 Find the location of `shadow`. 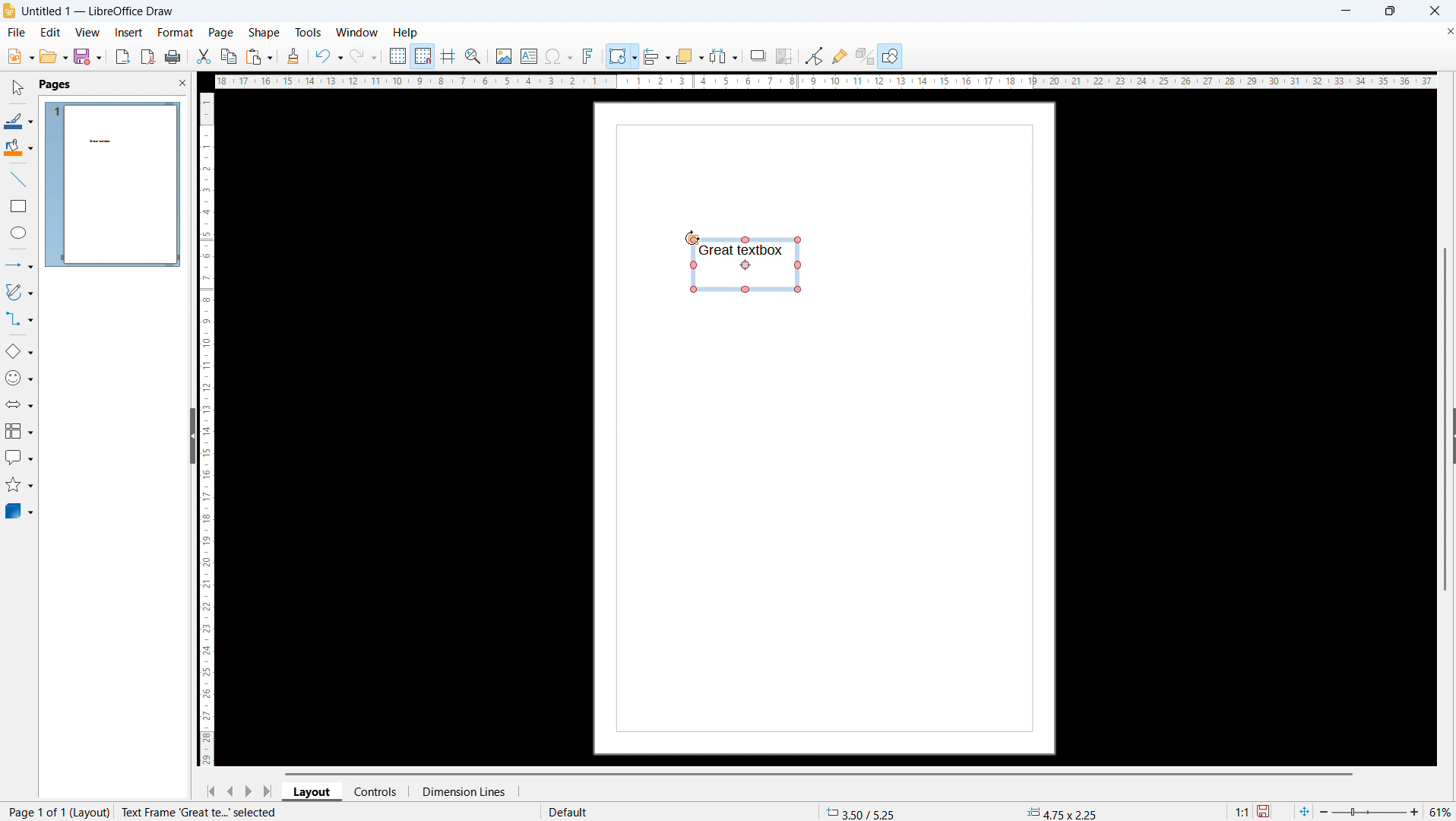

shadow is located at coordinates (758, 55).